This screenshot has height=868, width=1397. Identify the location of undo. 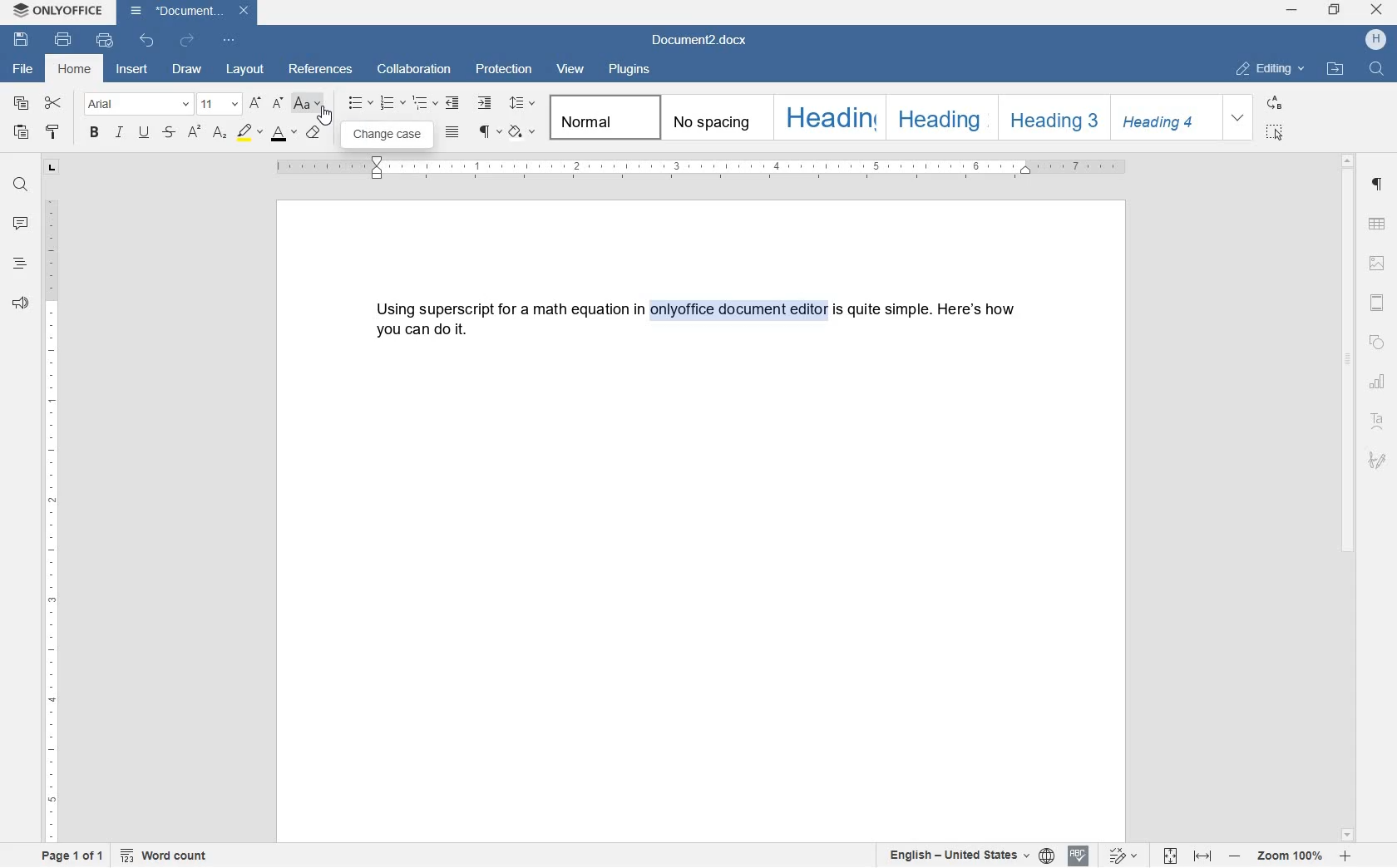
(147, 40).